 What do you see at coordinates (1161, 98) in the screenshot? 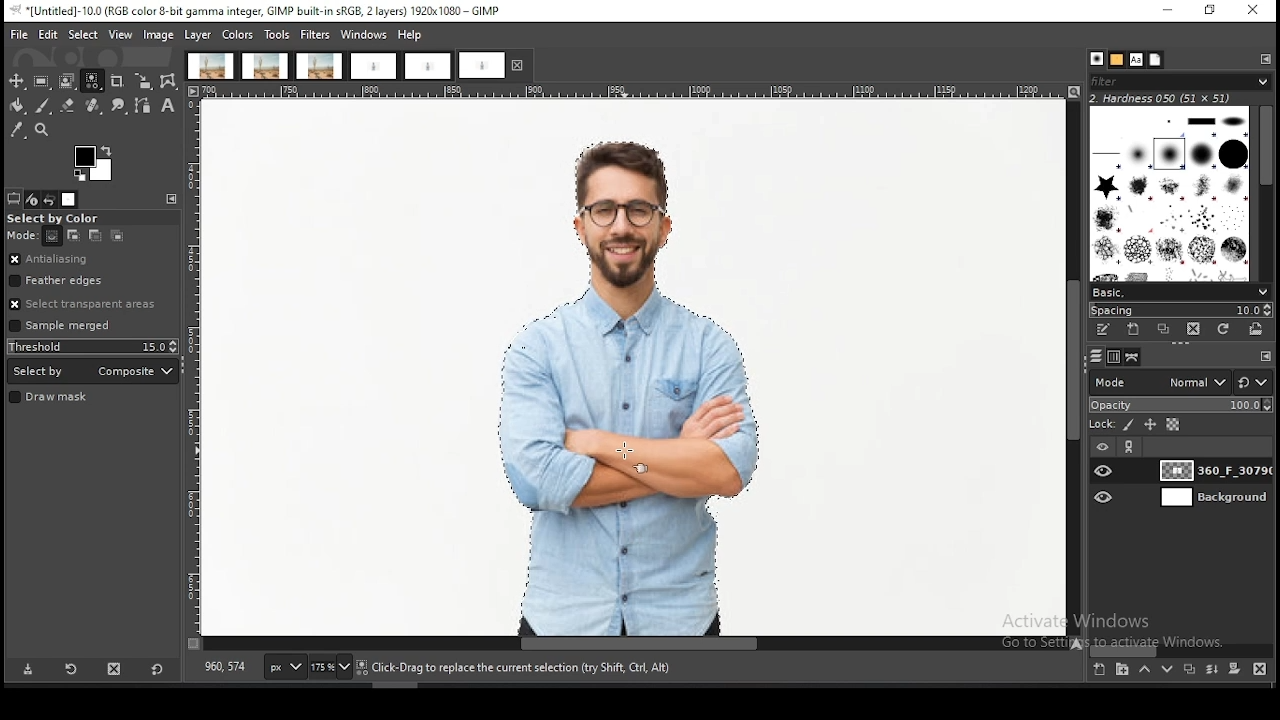
I see `hardness 050 (51x51)` at bounding box center [1161, 98].